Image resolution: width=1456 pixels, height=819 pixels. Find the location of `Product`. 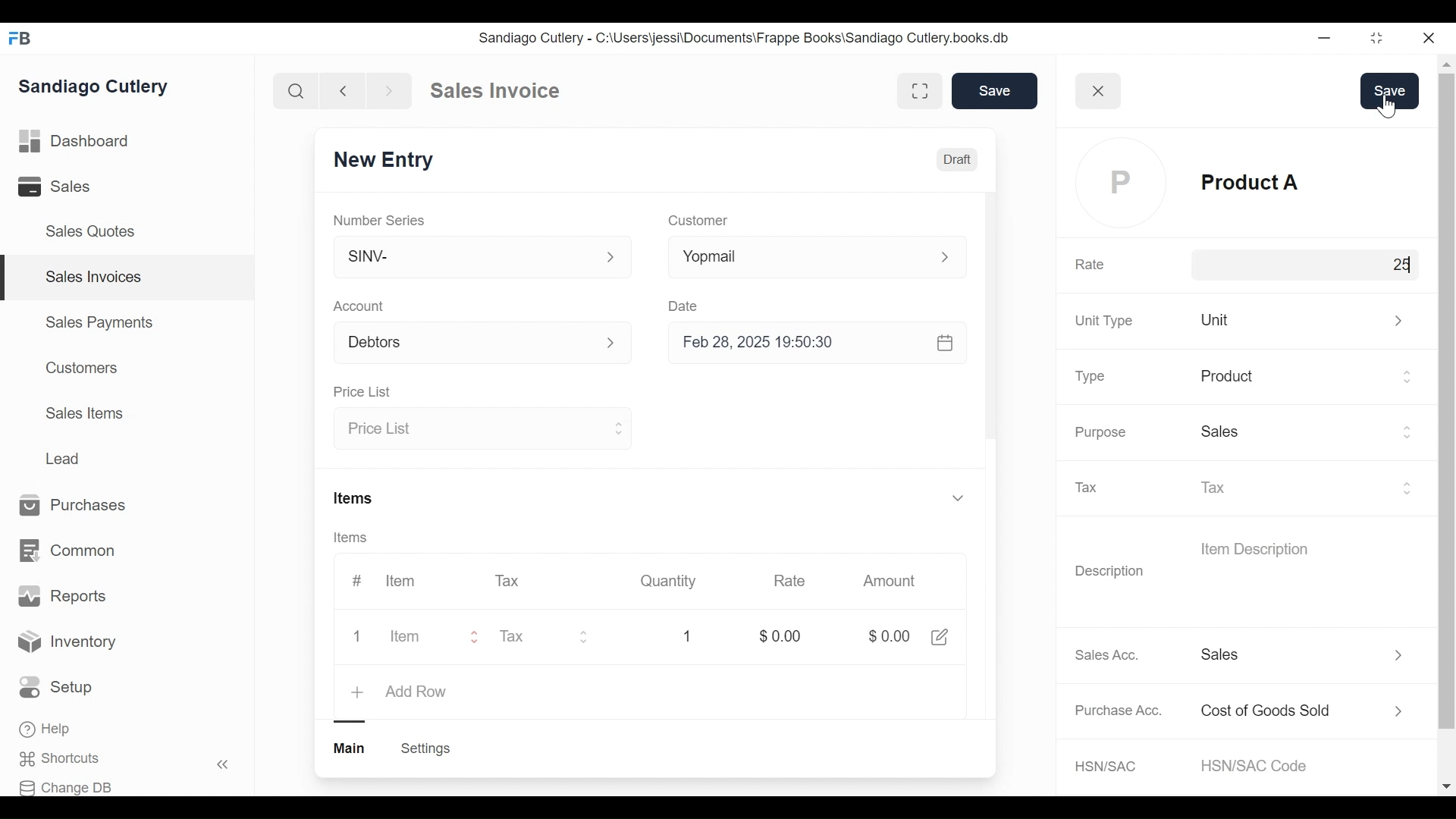

Product is located at coordinates (1308, 378).